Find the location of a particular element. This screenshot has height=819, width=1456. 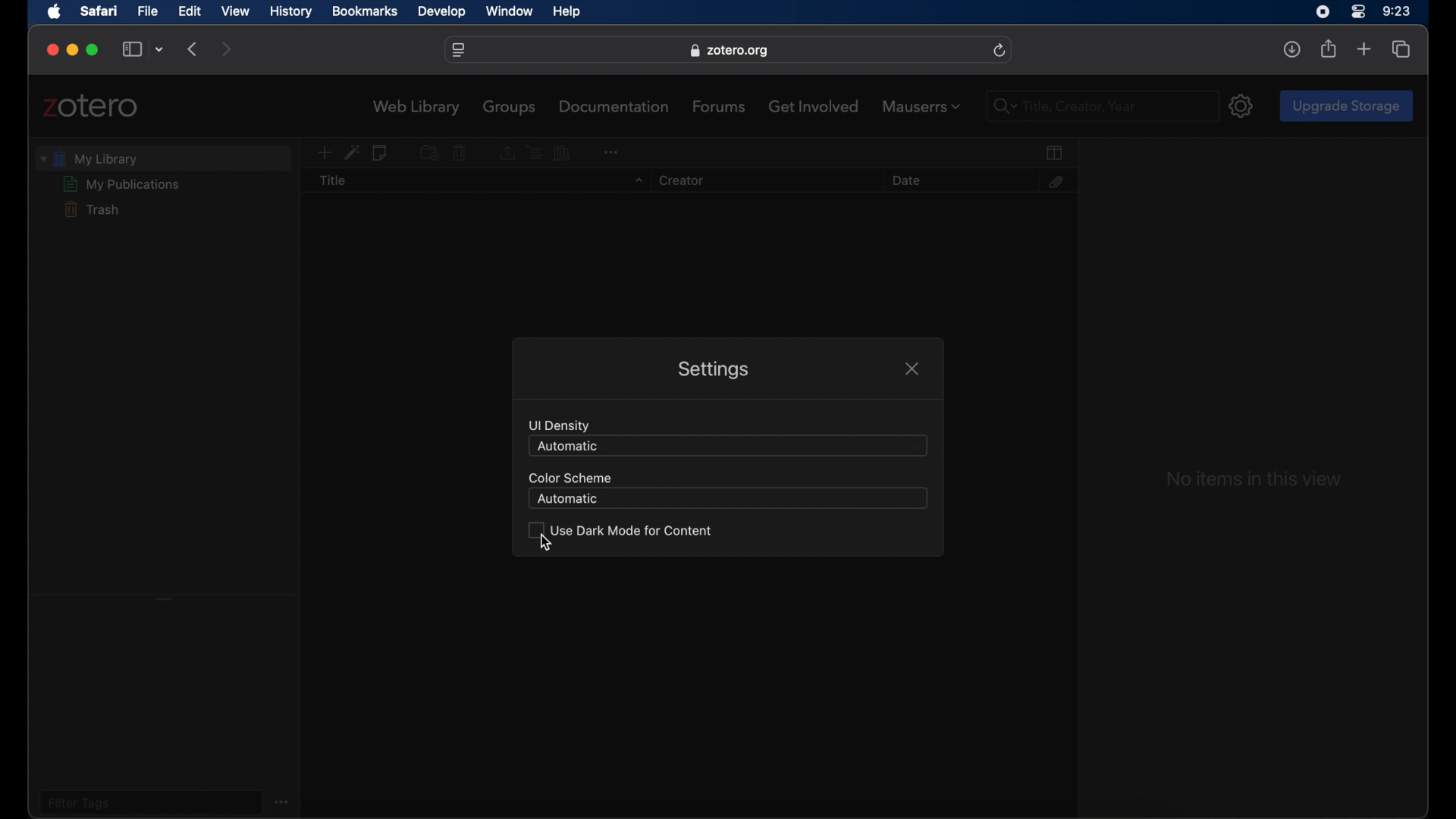

minimize is located at coordinates (71, 50).